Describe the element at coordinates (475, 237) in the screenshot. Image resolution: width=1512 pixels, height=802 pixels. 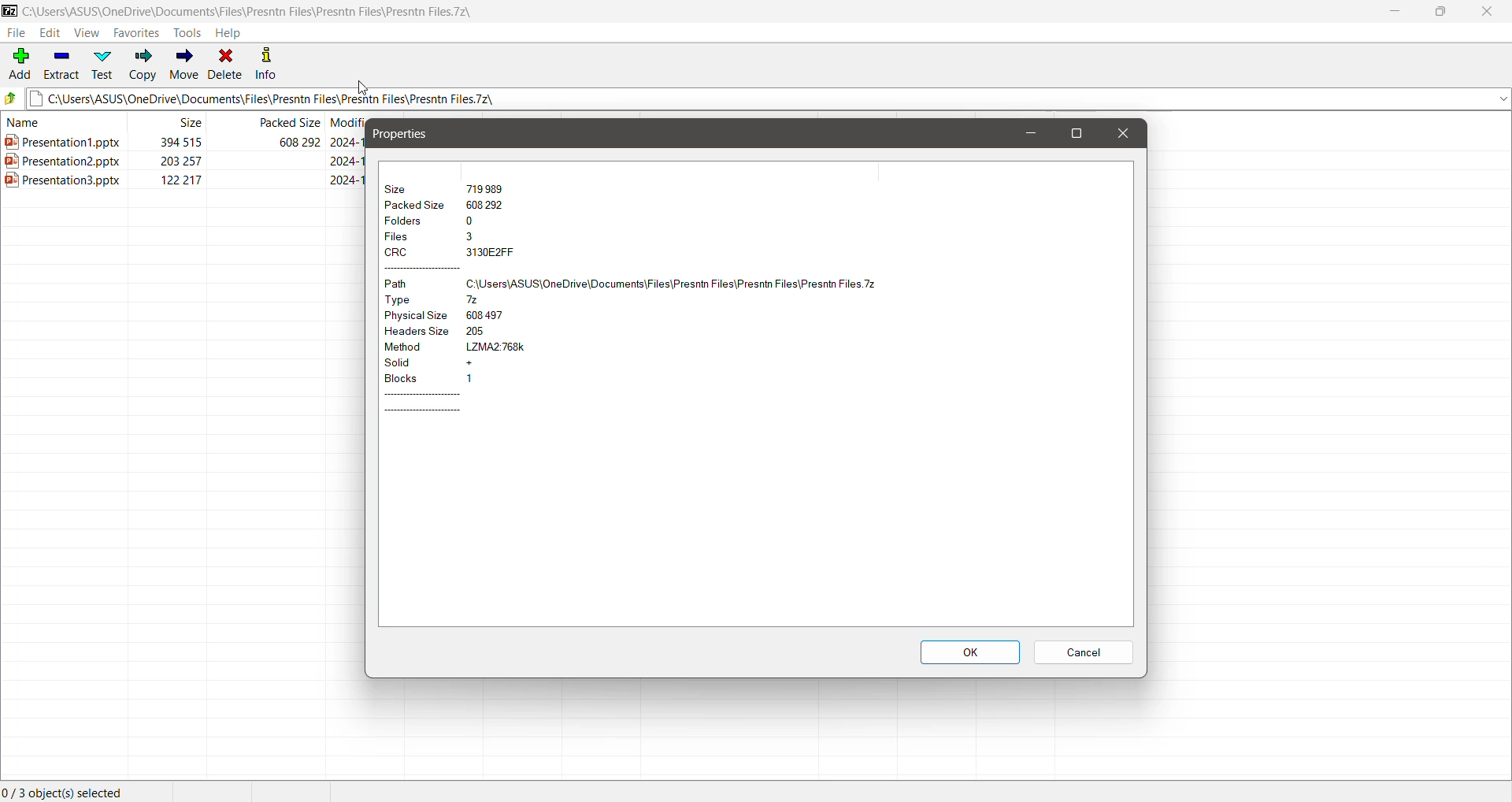
I see `3` at that location.